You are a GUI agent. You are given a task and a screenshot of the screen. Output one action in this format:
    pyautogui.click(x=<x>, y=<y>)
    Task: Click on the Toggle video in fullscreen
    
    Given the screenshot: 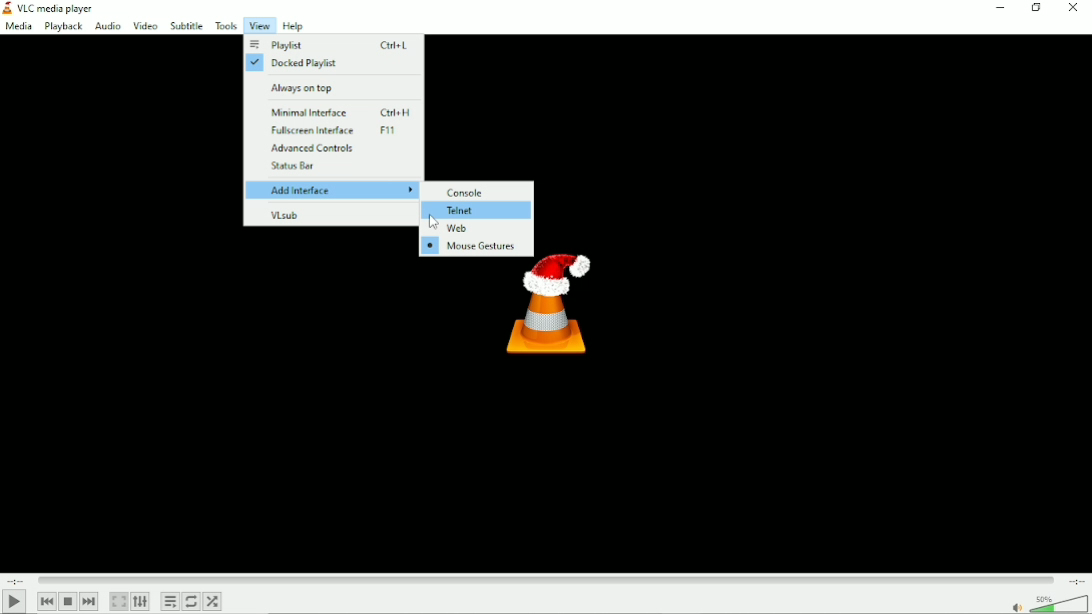 What is the action you would take?
    pyautogui.click(x=118, y=601)
    